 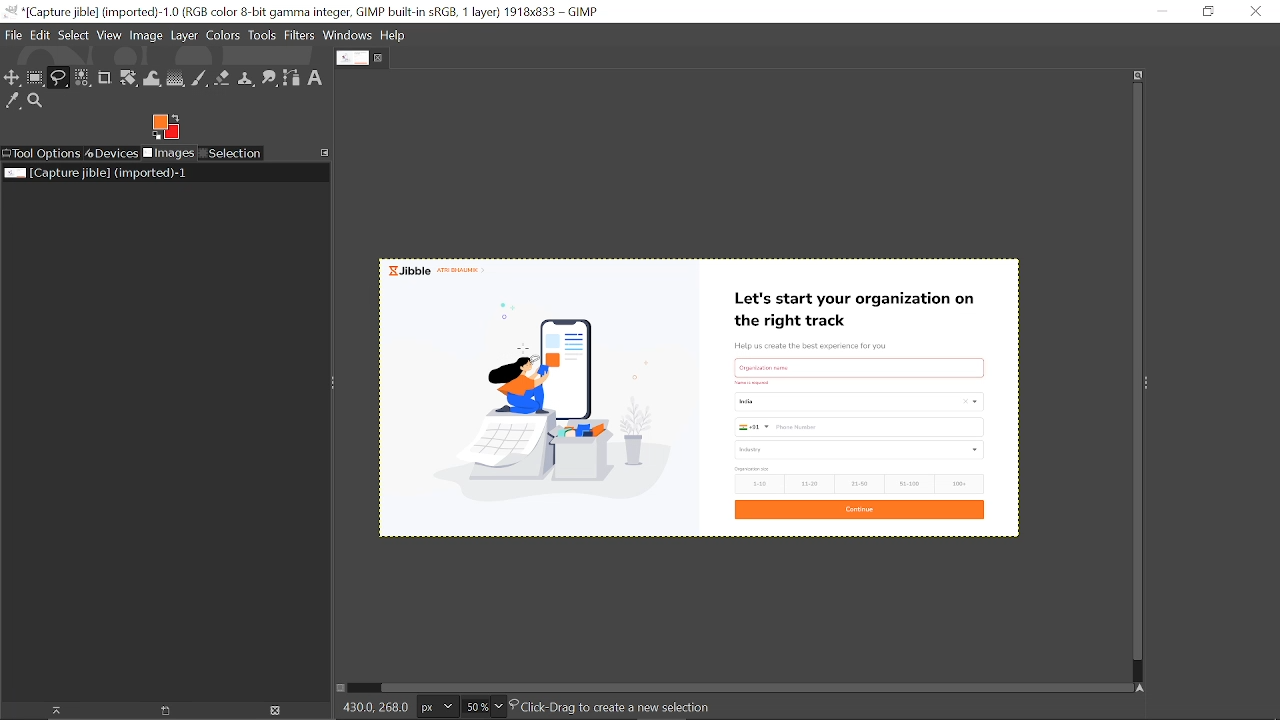 I want to click on Images, so click(x=170, y=154).